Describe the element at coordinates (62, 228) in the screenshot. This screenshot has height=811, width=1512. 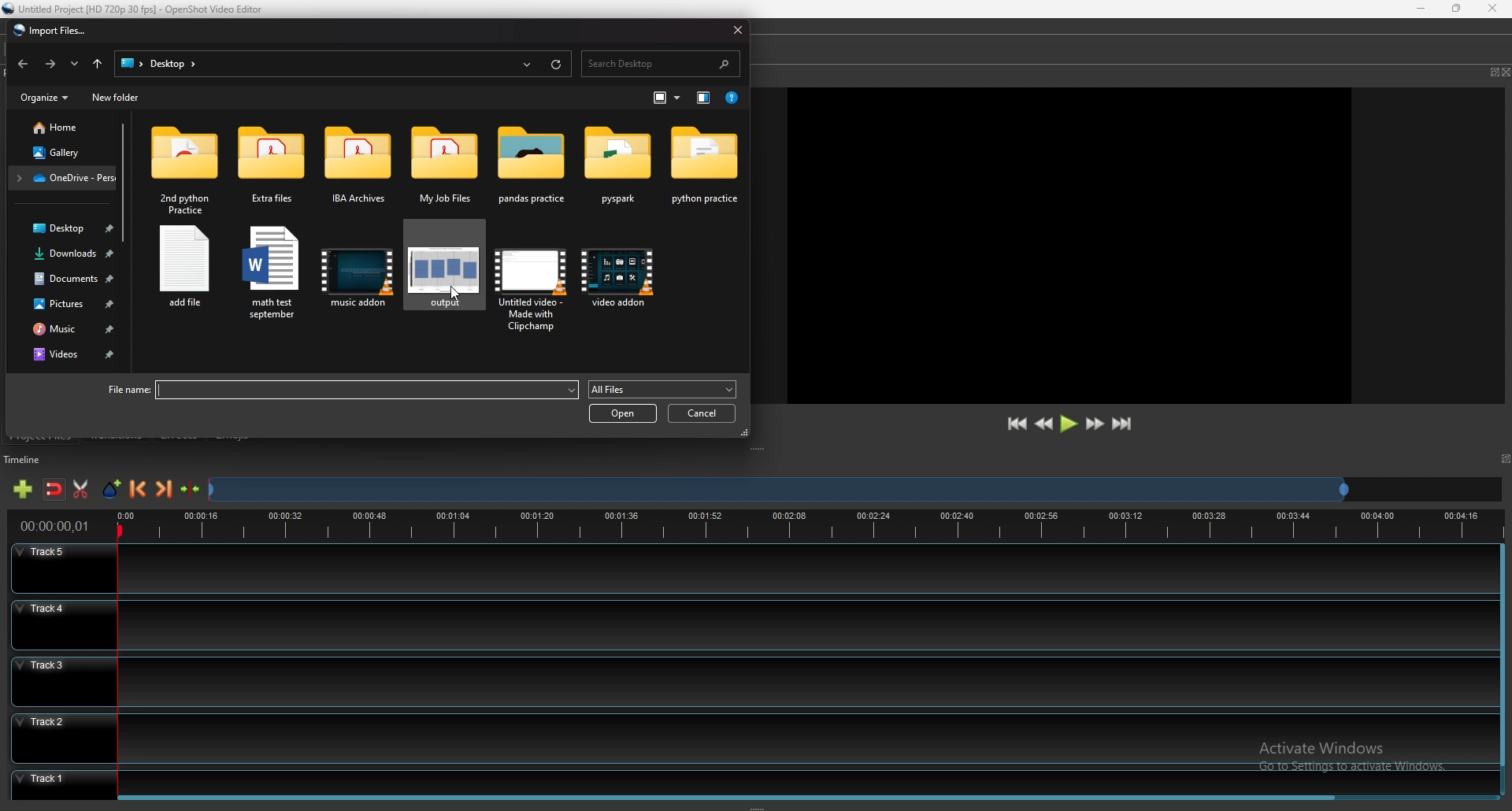
I see `desktop` at that location.